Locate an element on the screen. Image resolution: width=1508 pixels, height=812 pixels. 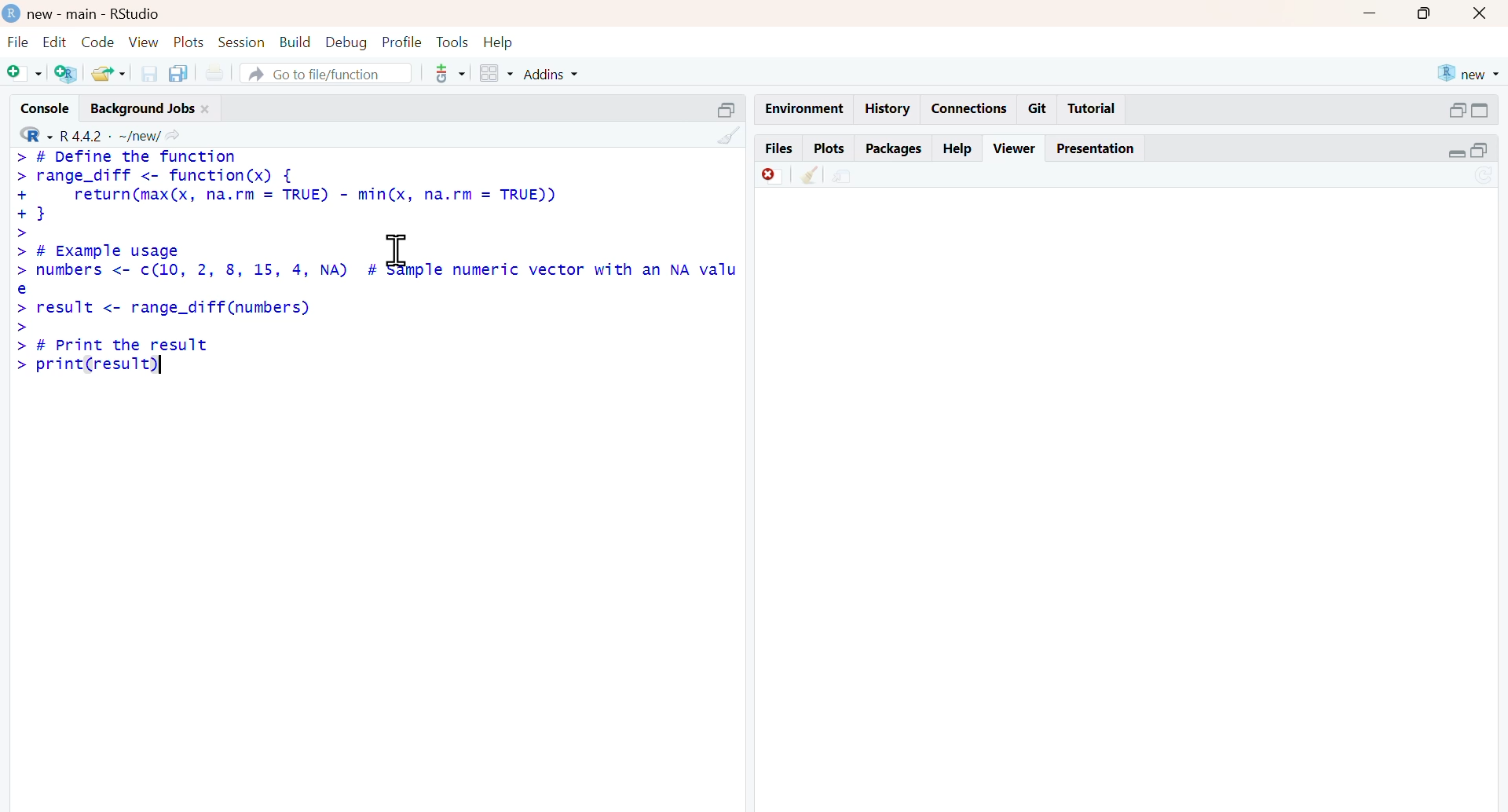
grid is located at coordinates (497, 74).